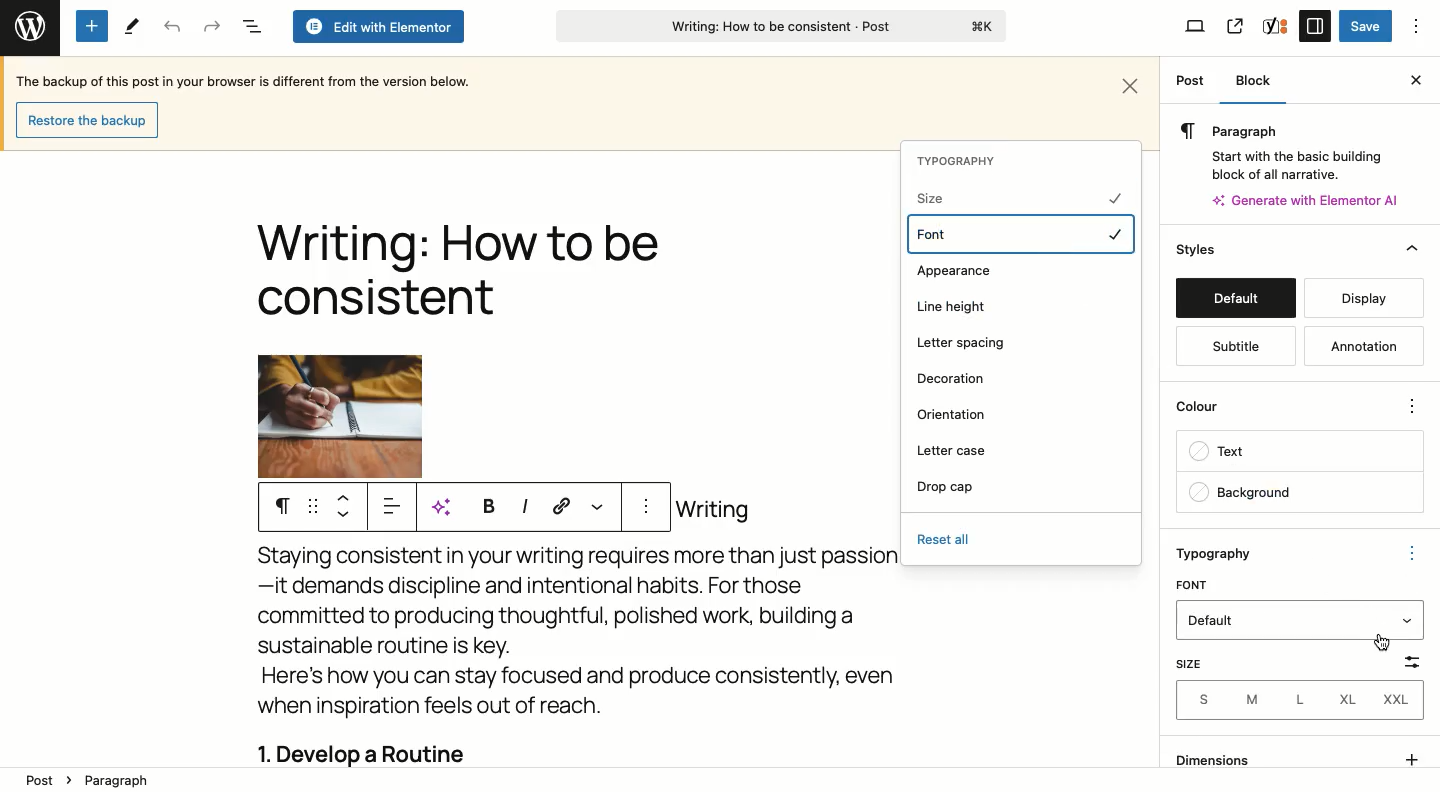 This screenshot has width=1440, height=792. Describe the element at coordinates (1015, 197) in the screenshot. I see `Size` at that location.